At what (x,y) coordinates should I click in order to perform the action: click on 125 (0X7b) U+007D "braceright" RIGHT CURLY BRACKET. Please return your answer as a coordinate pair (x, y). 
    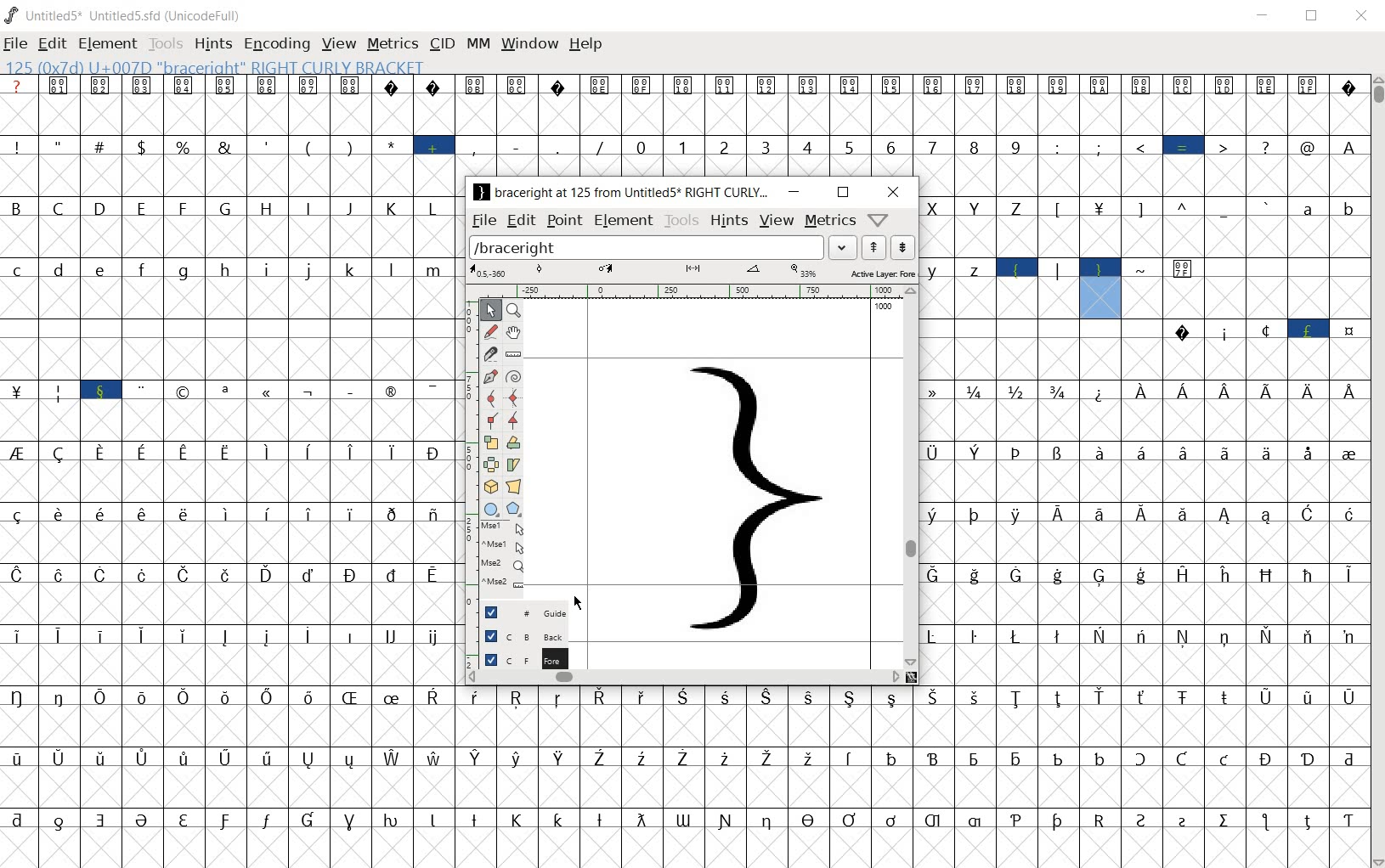
    Looking at the image, I should click on (1100, 288).